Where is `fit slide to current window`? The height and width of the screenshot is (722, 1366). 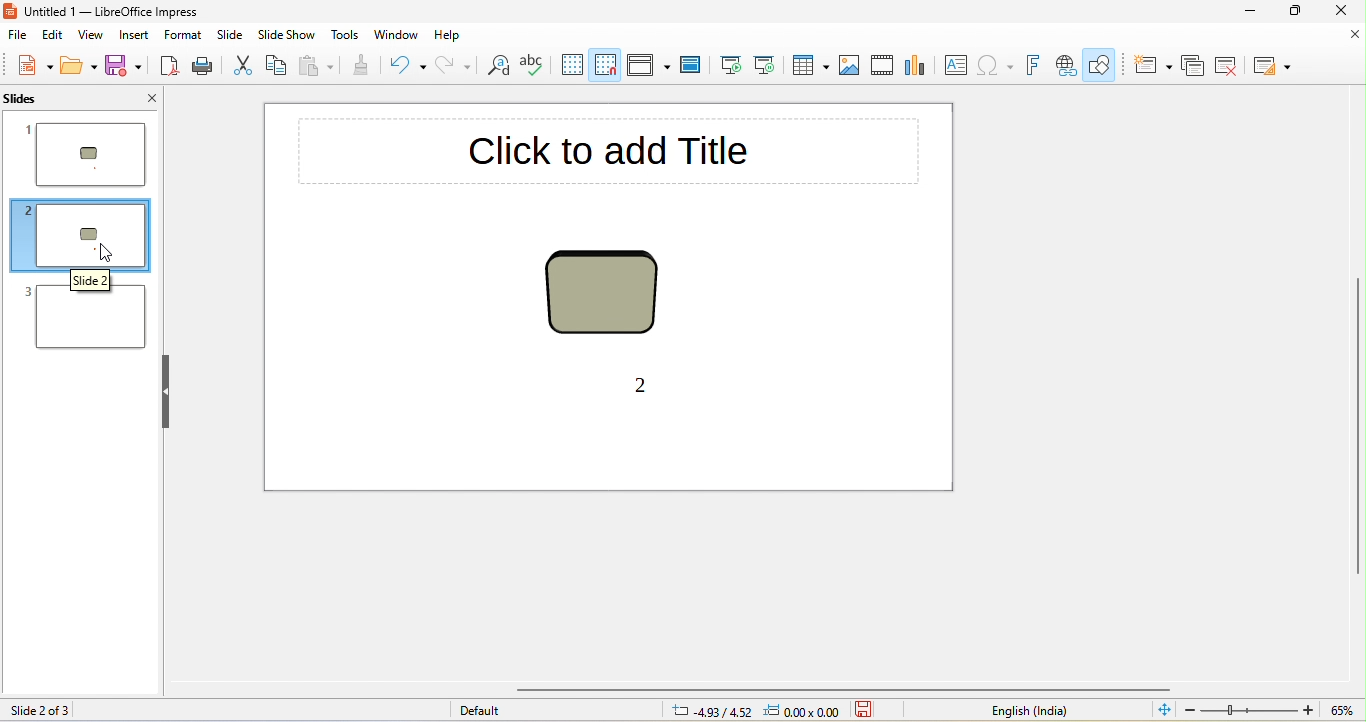
fit slide to current window is located at coordinates (1161, 710).